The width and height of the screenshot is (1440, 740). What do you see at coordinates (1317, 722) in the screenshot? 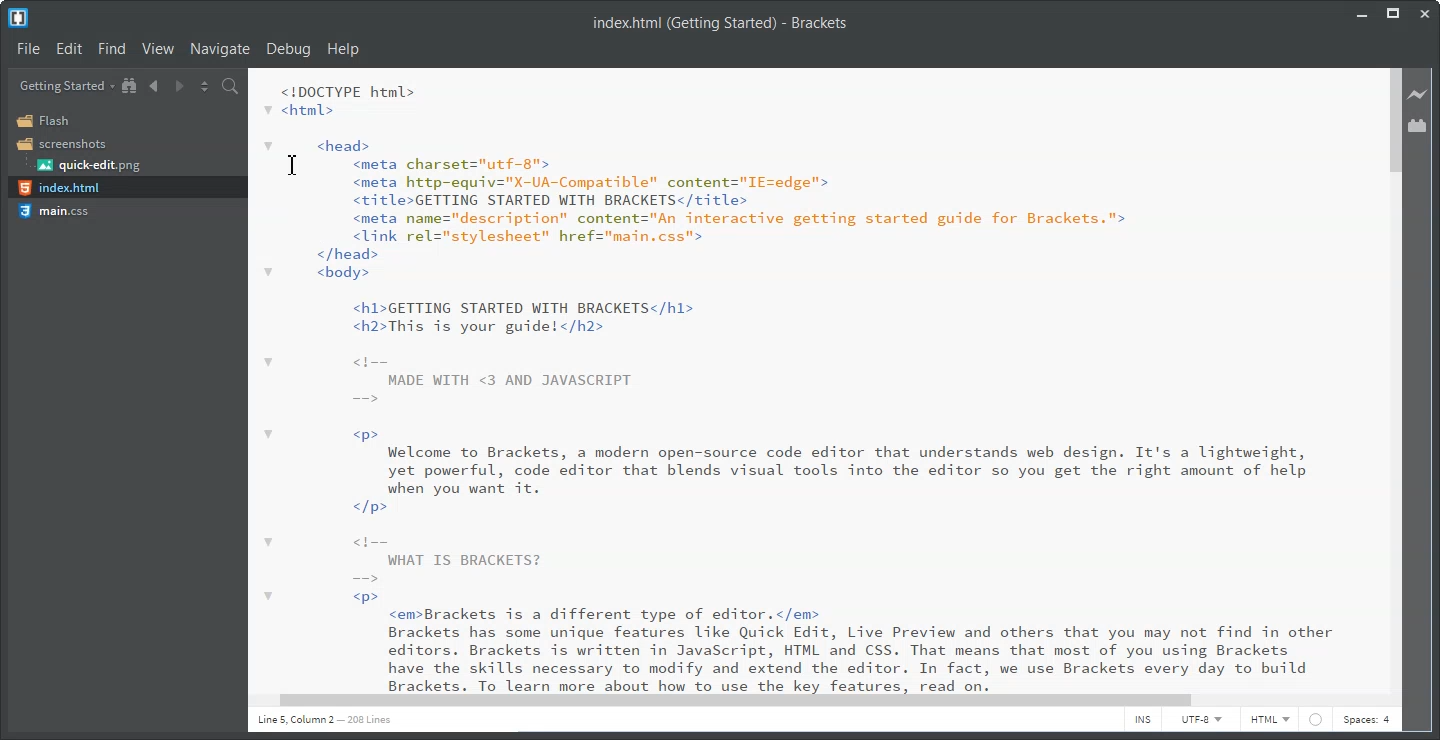
I see `web` at bounding box center [1317, 722].